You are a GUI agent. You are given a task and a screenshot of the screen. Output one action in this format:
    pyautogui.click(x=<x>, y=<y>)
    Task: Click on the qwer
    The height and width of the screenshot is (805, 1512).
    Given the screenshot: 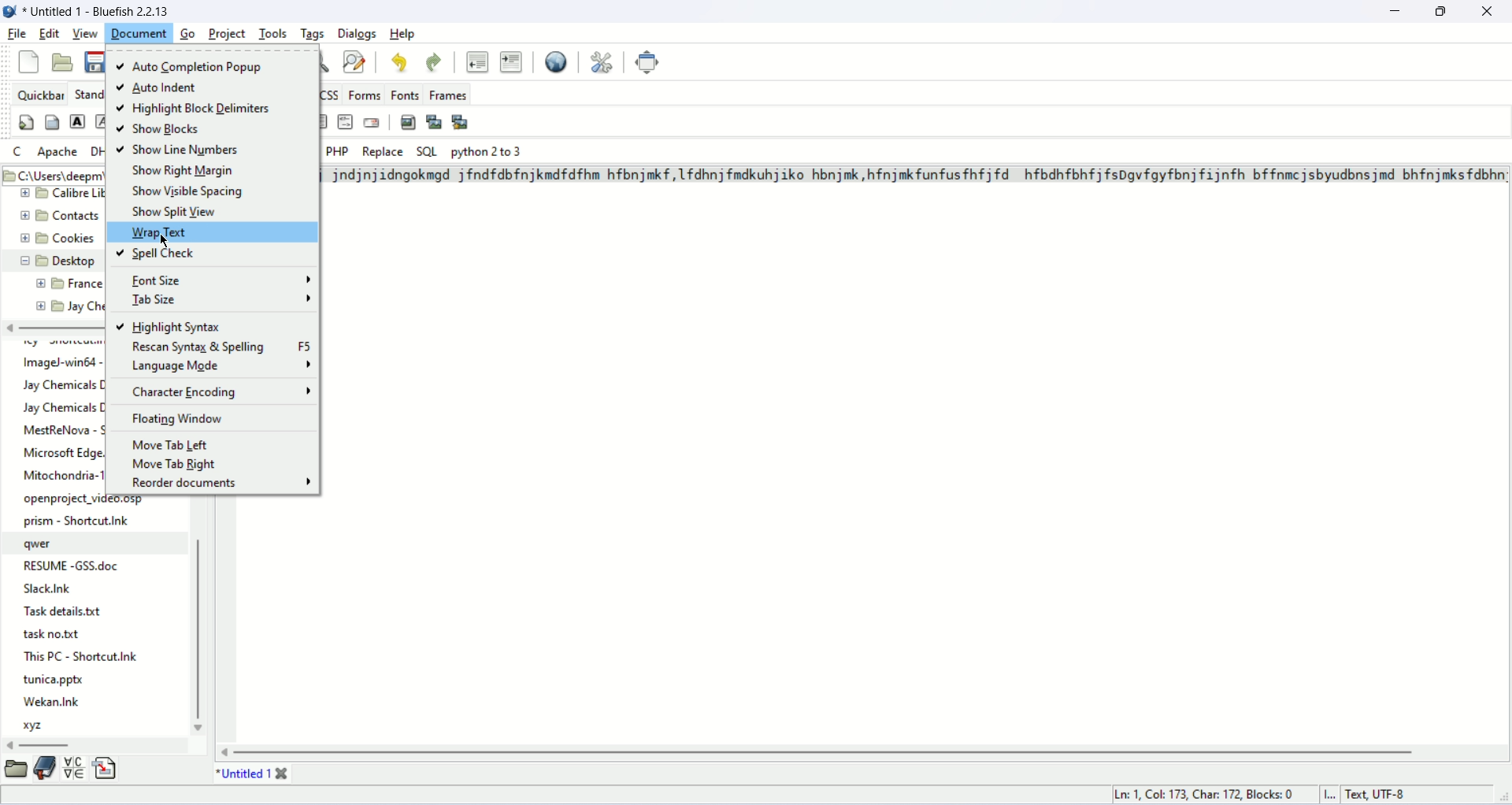 What is the action you would take?
    pyautogui.click(x=41, y=544)
    